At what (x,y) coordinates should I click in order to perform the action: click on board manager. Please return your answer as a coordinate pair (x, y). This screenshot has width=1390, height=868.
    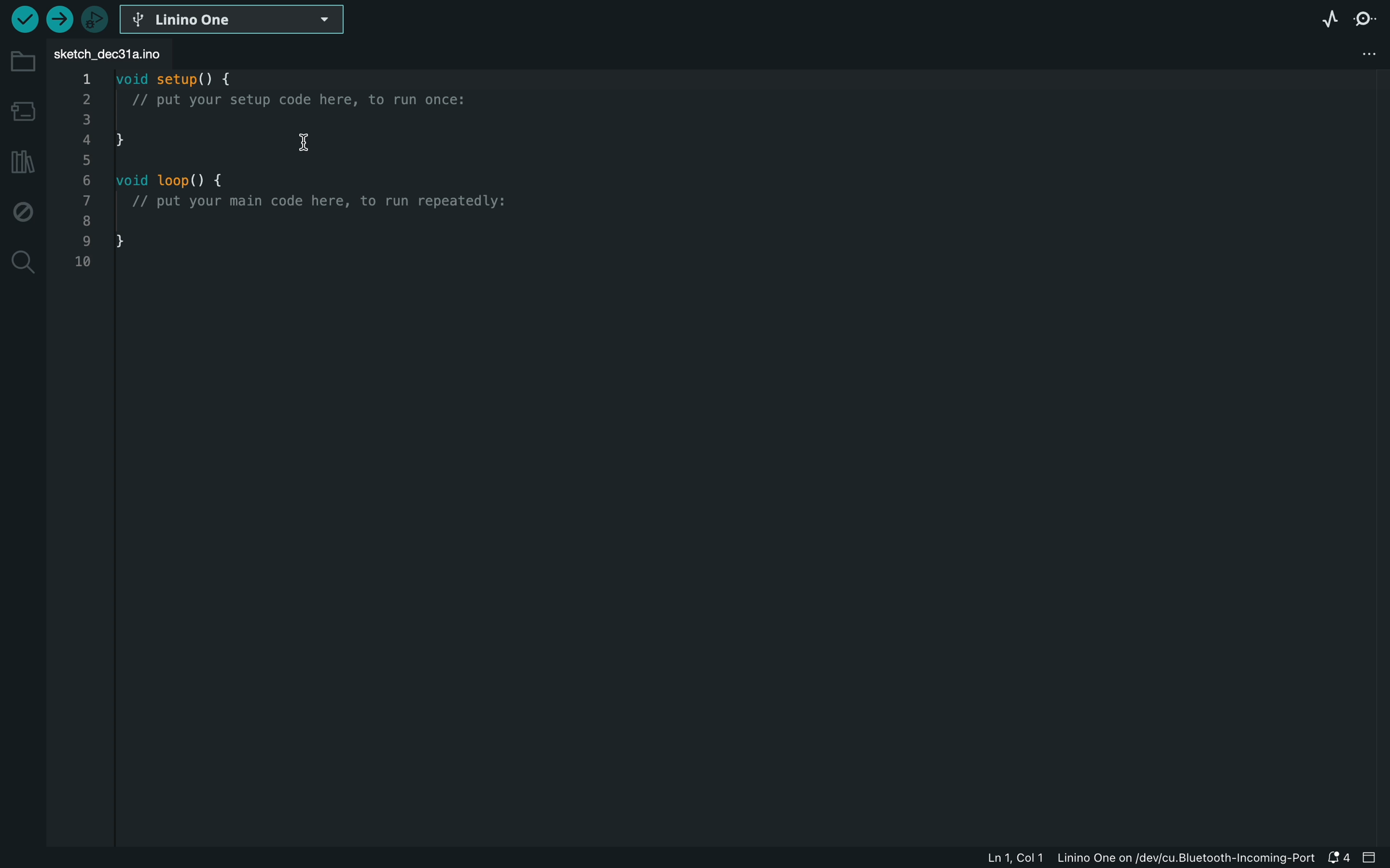
    Looking at the image, I should click on (22, 111).